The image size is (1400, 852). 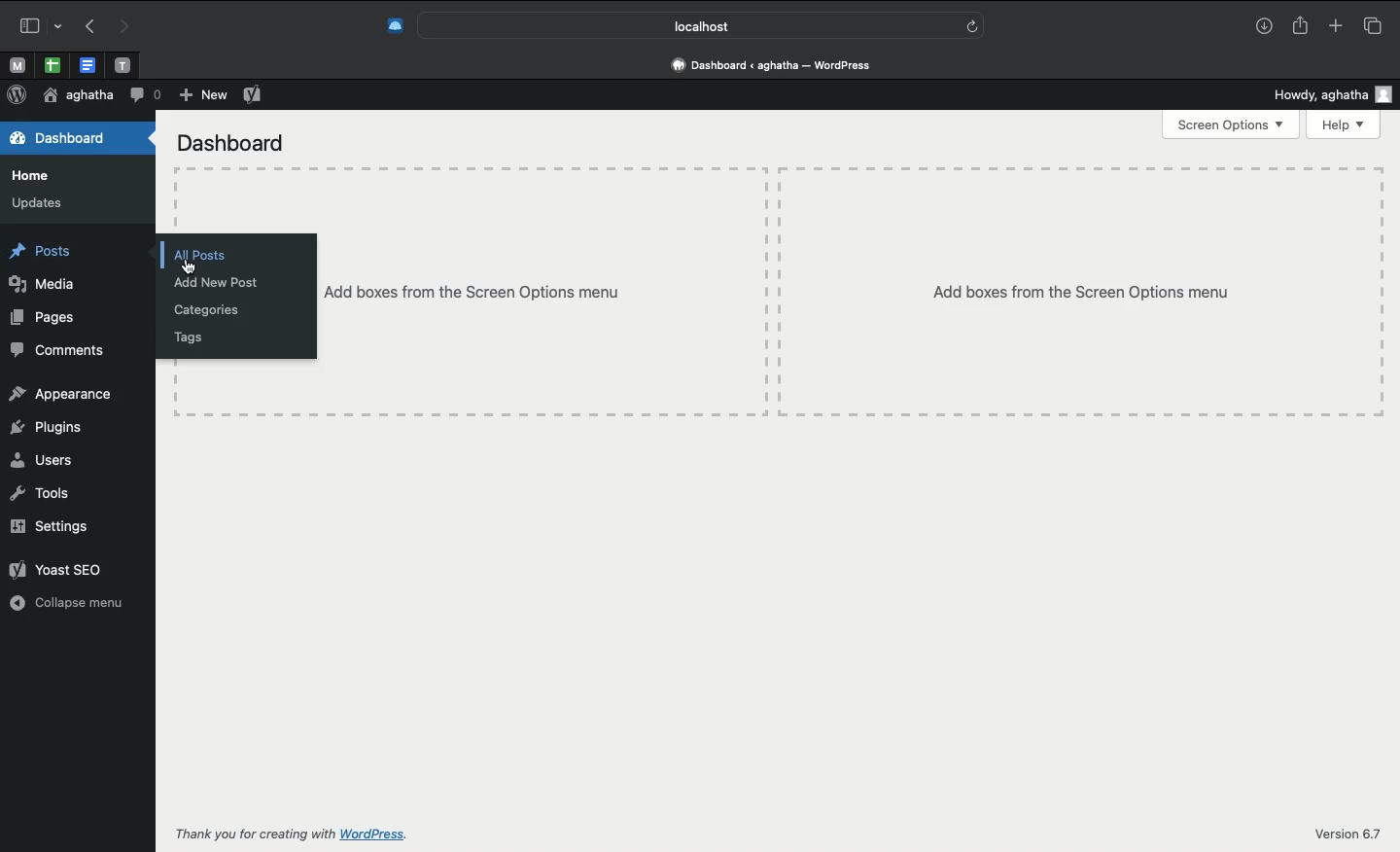 What do you see at coordinates (39, 202) in the screenshot?
I see `Updates` at bounding box center [39, 202].